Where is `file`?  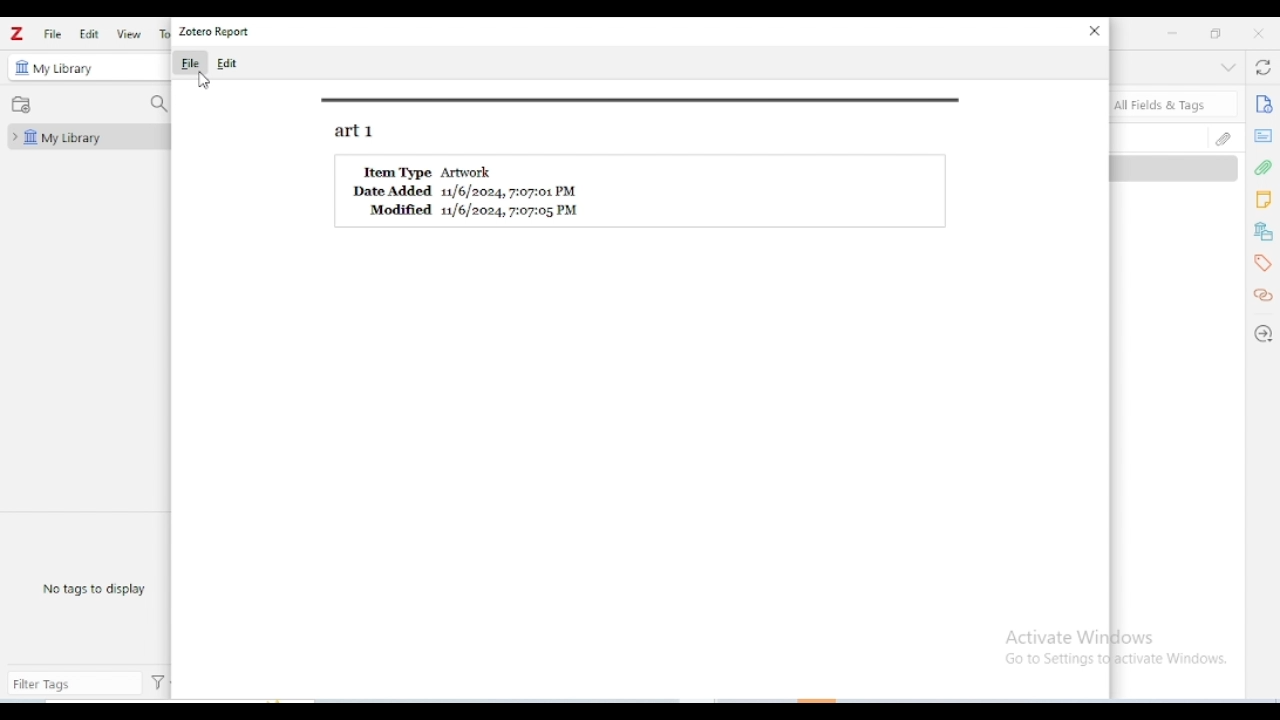 file is located at coordinates (190, 62).